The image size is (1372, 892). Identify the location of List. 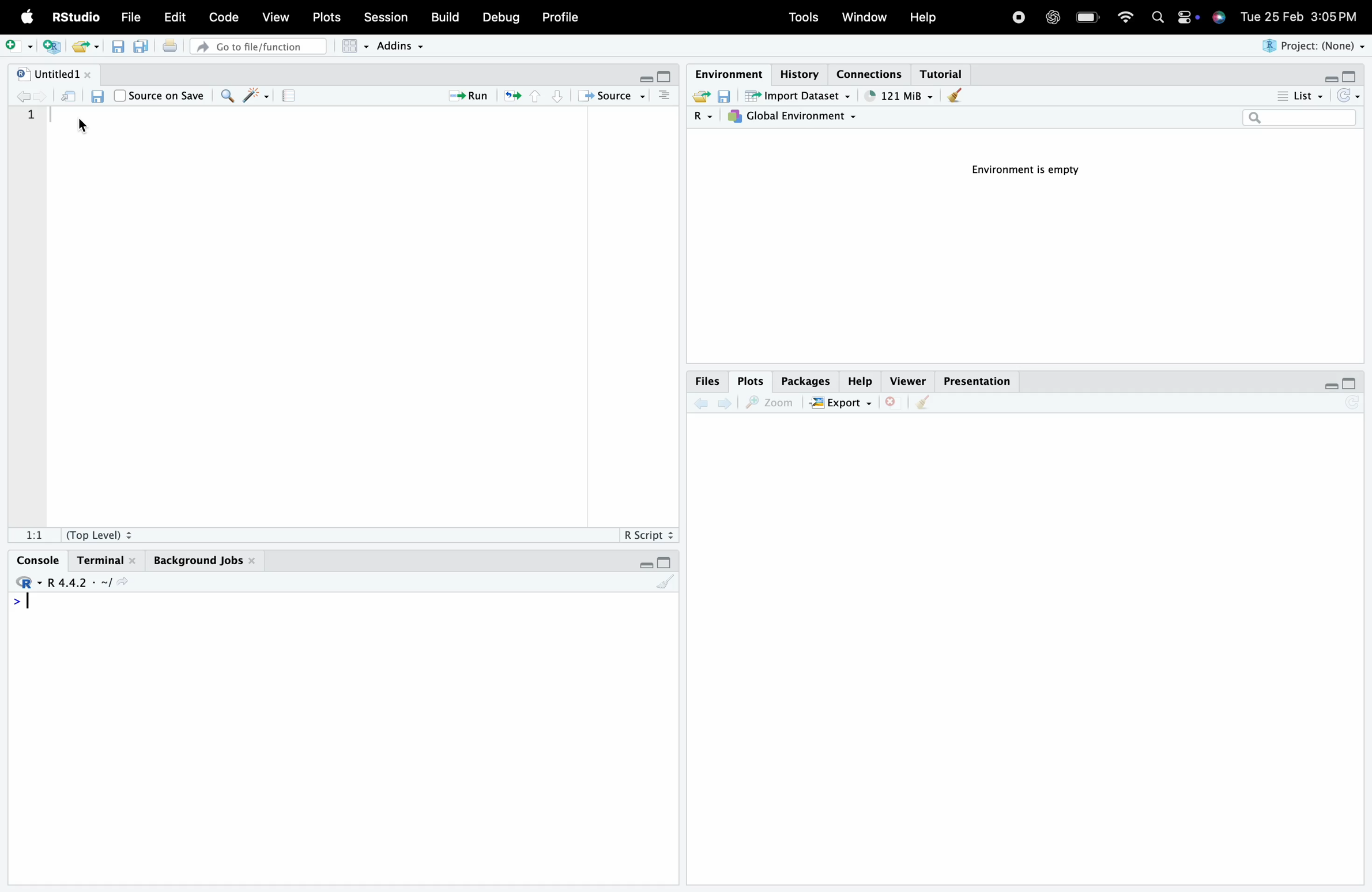
(1301, 96).